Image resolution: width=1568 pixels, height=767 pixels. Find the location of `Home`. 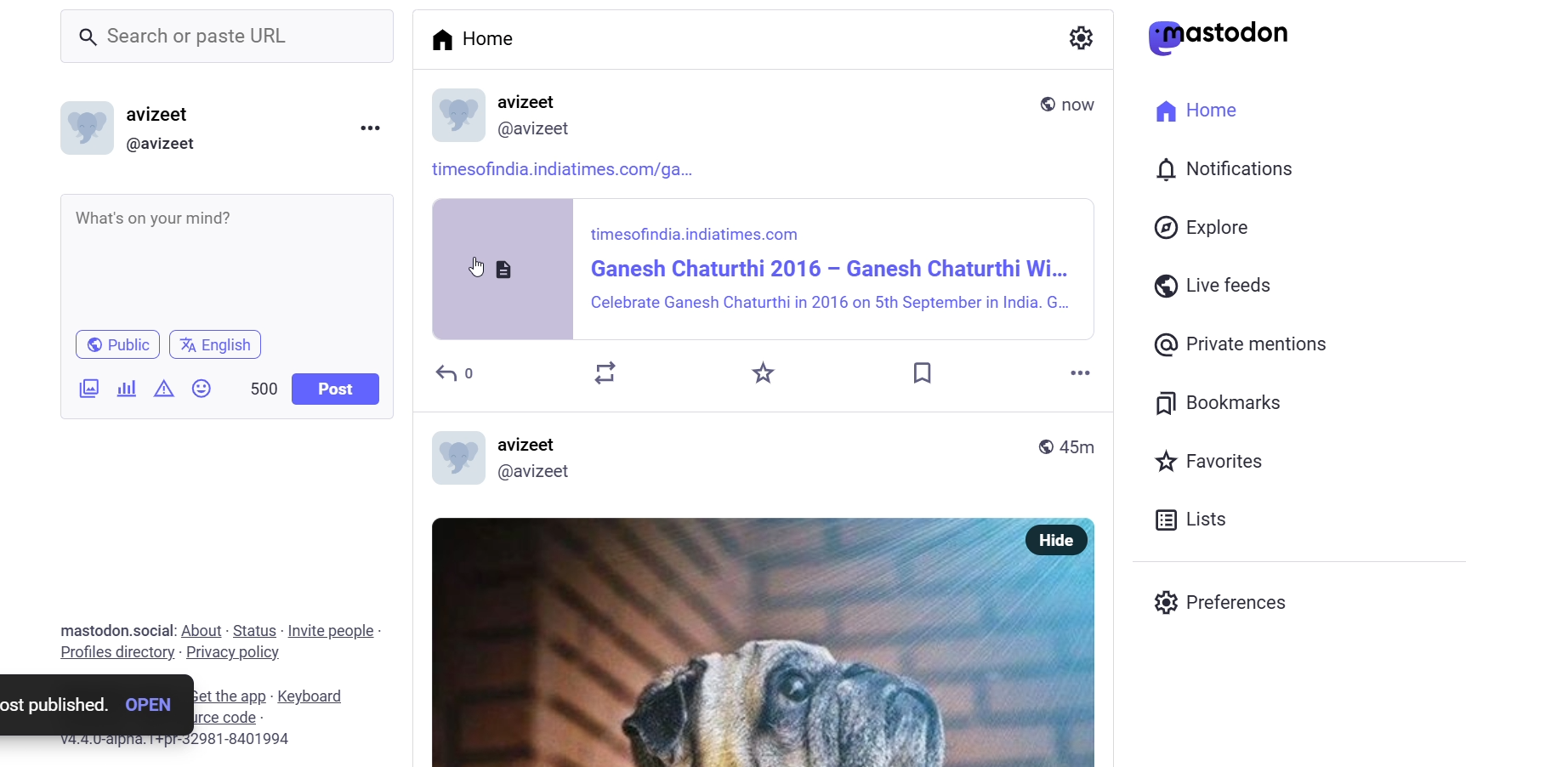

Home is located at coordinates (477, 41).